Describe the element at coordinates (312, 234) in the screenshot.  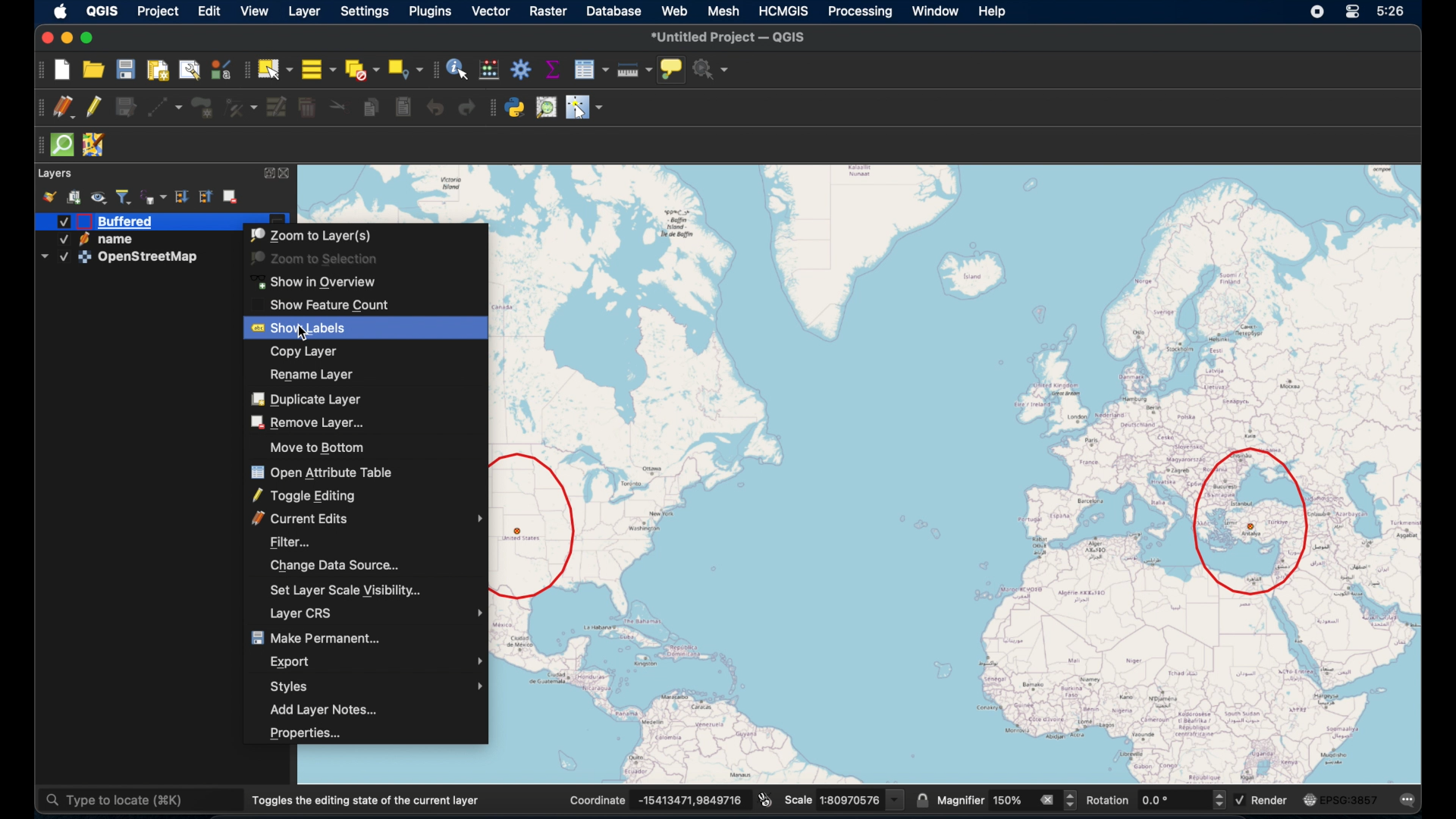
I see `zoom to layers` at that location.